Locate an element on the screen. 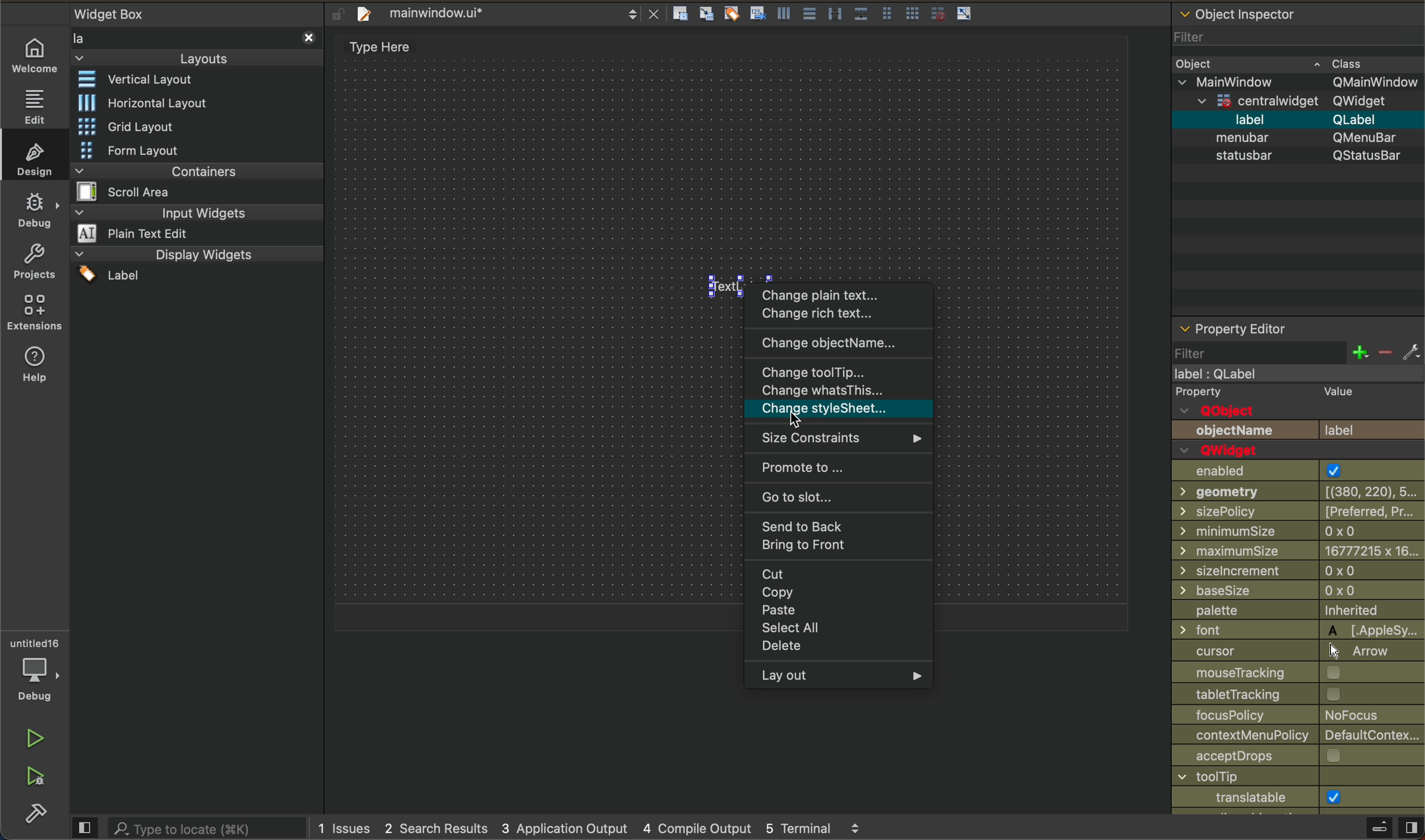  2 search result is located at coordinates (438, 830).